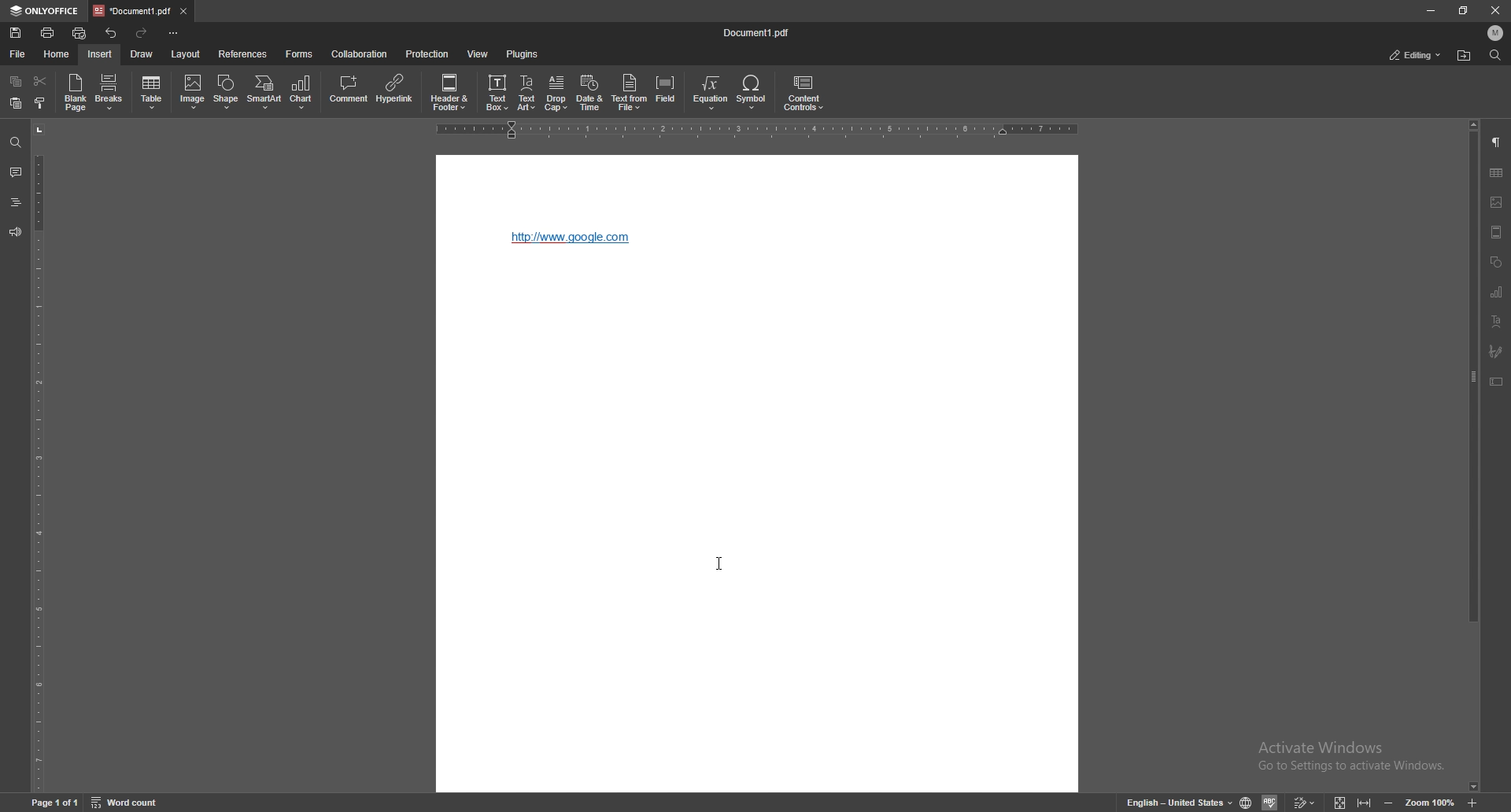 This screenshot has width=1511, height=812. Describe the element at coordinates (228, 90) in the screenshot. I see `shape` at that location.